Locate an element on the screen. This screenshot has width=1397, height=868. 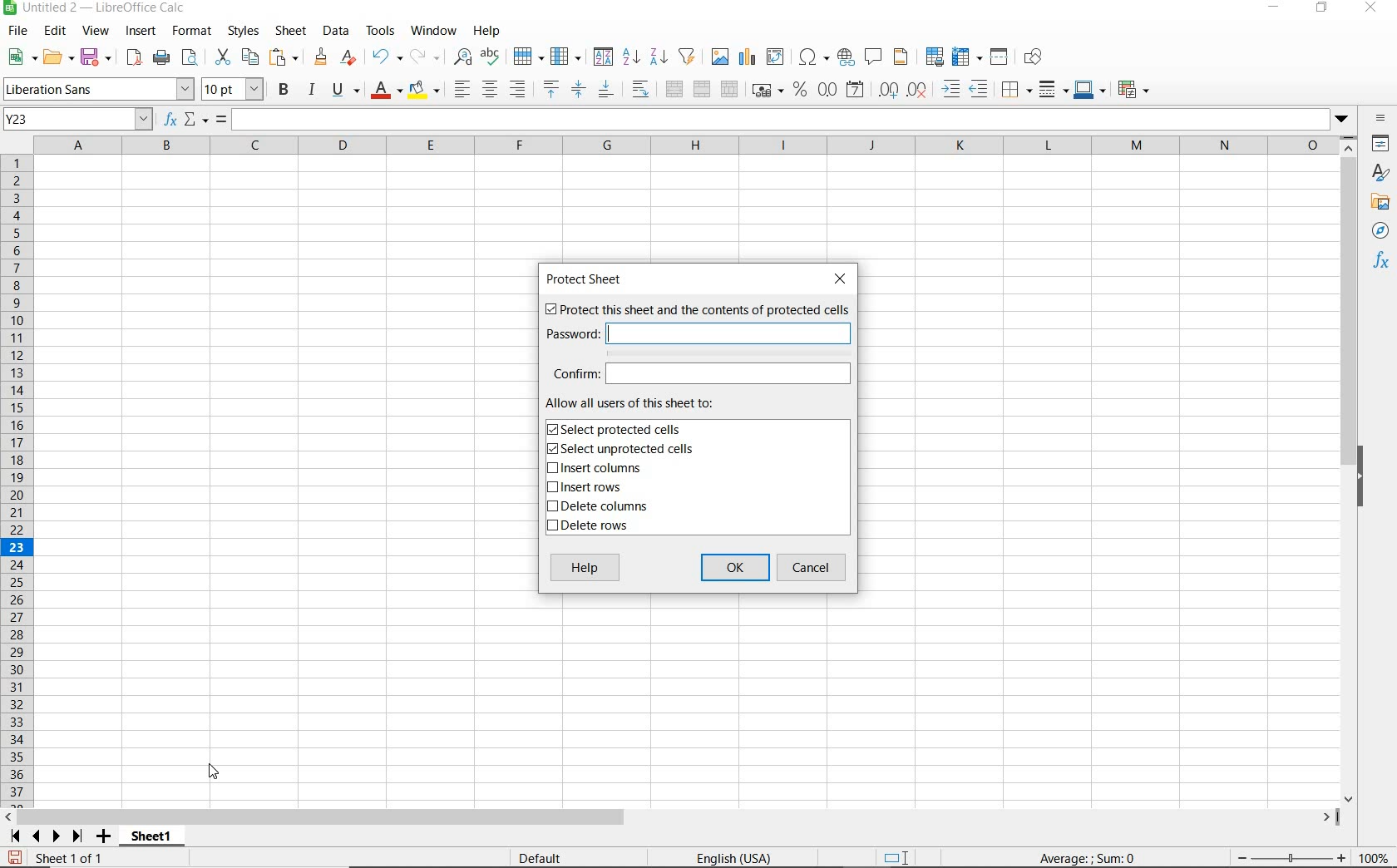
PROTECT SHEET is located at coordinates (588, 279).